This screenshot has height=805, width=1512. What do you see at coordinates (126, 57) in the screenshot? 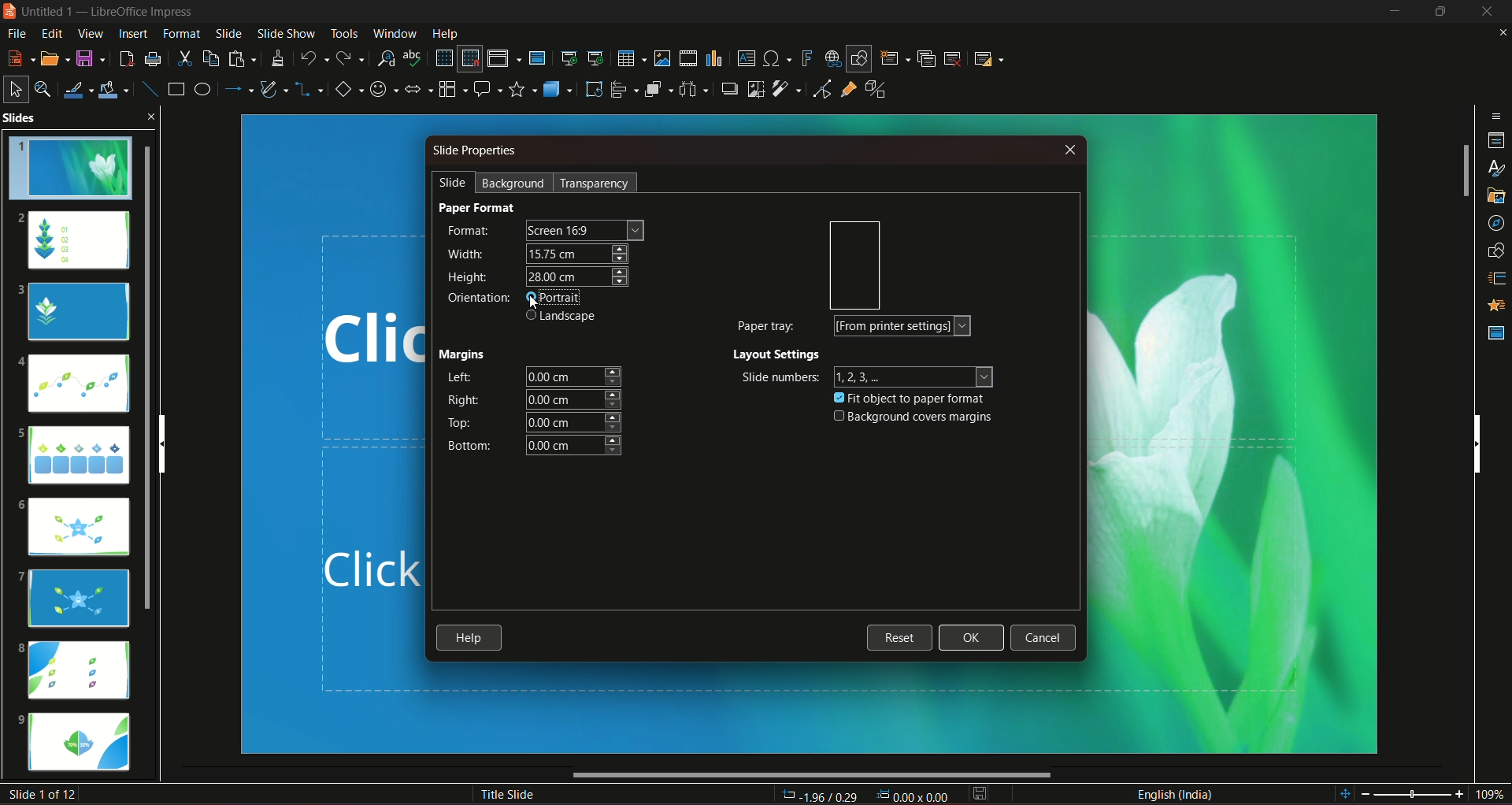
I see `export directly as pdf` at bounding box center [126, 57].